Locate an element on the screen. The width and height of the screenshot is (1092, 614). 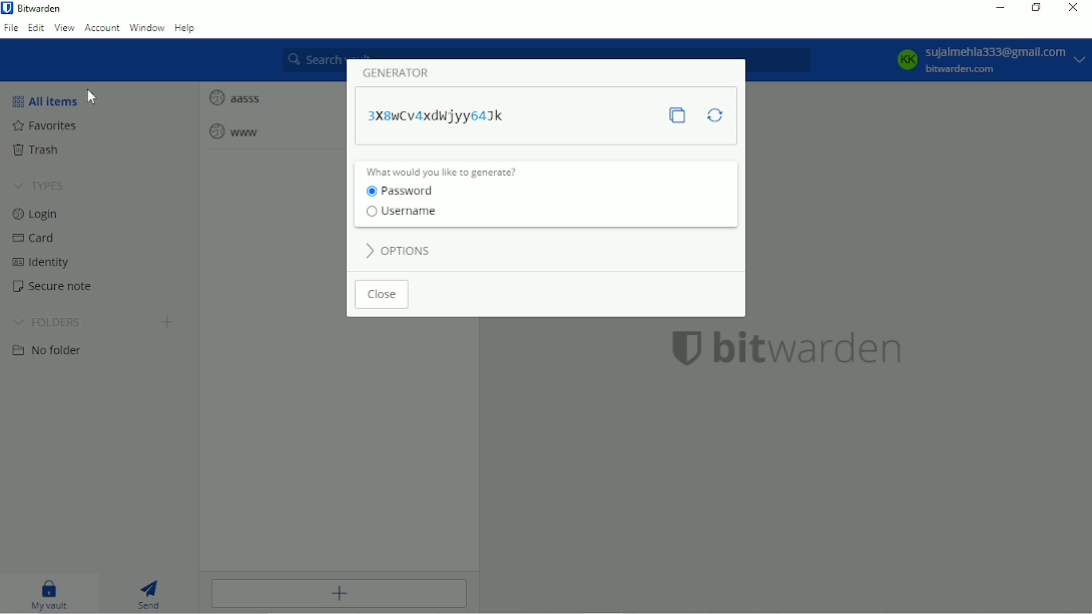
Account is located at coordinates (102, 28).